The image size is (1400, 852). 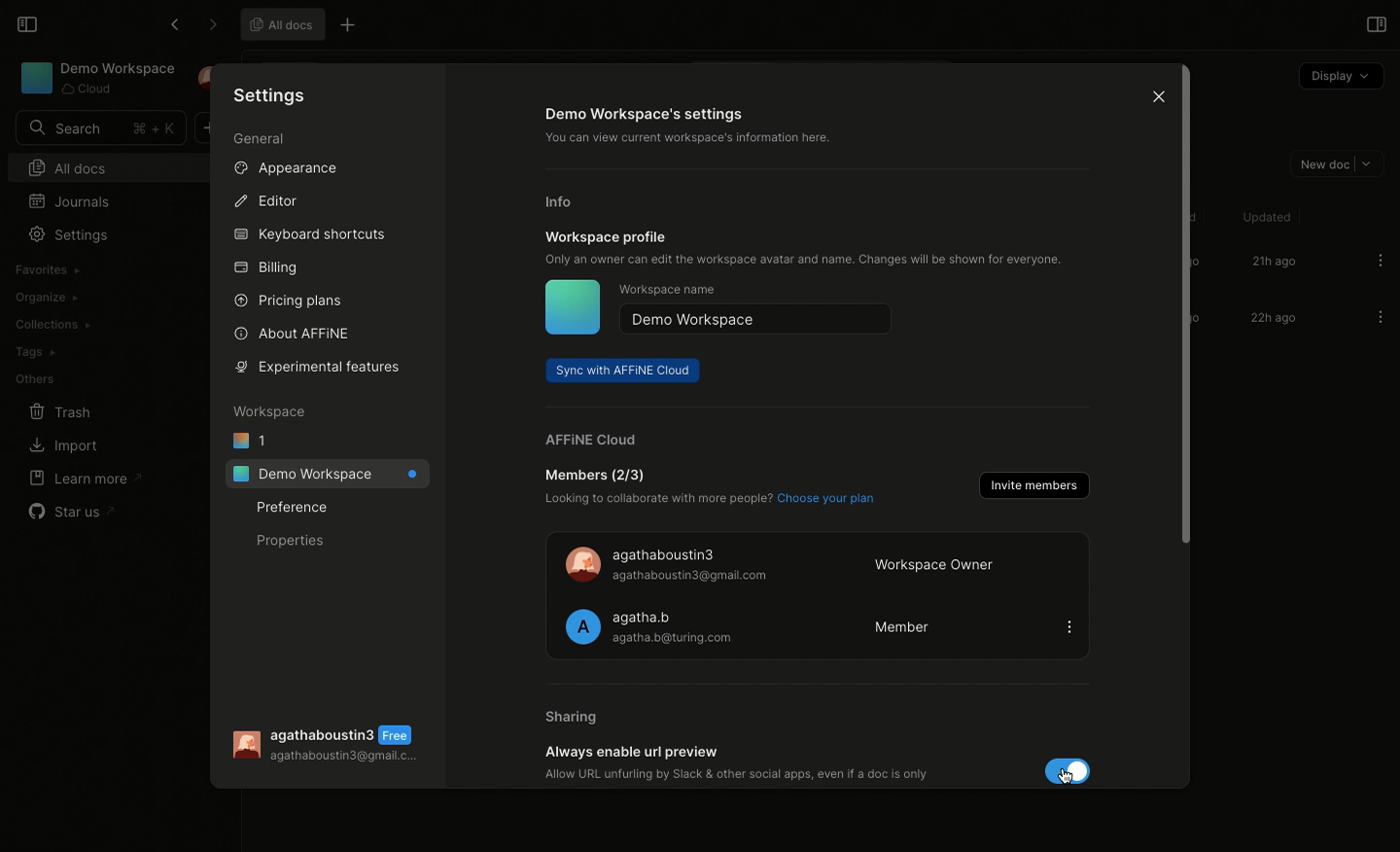 What do you see at coordinates (1374, 23) in the screenshot?
I see `Open right panel` at bounding box center [1374, 23].